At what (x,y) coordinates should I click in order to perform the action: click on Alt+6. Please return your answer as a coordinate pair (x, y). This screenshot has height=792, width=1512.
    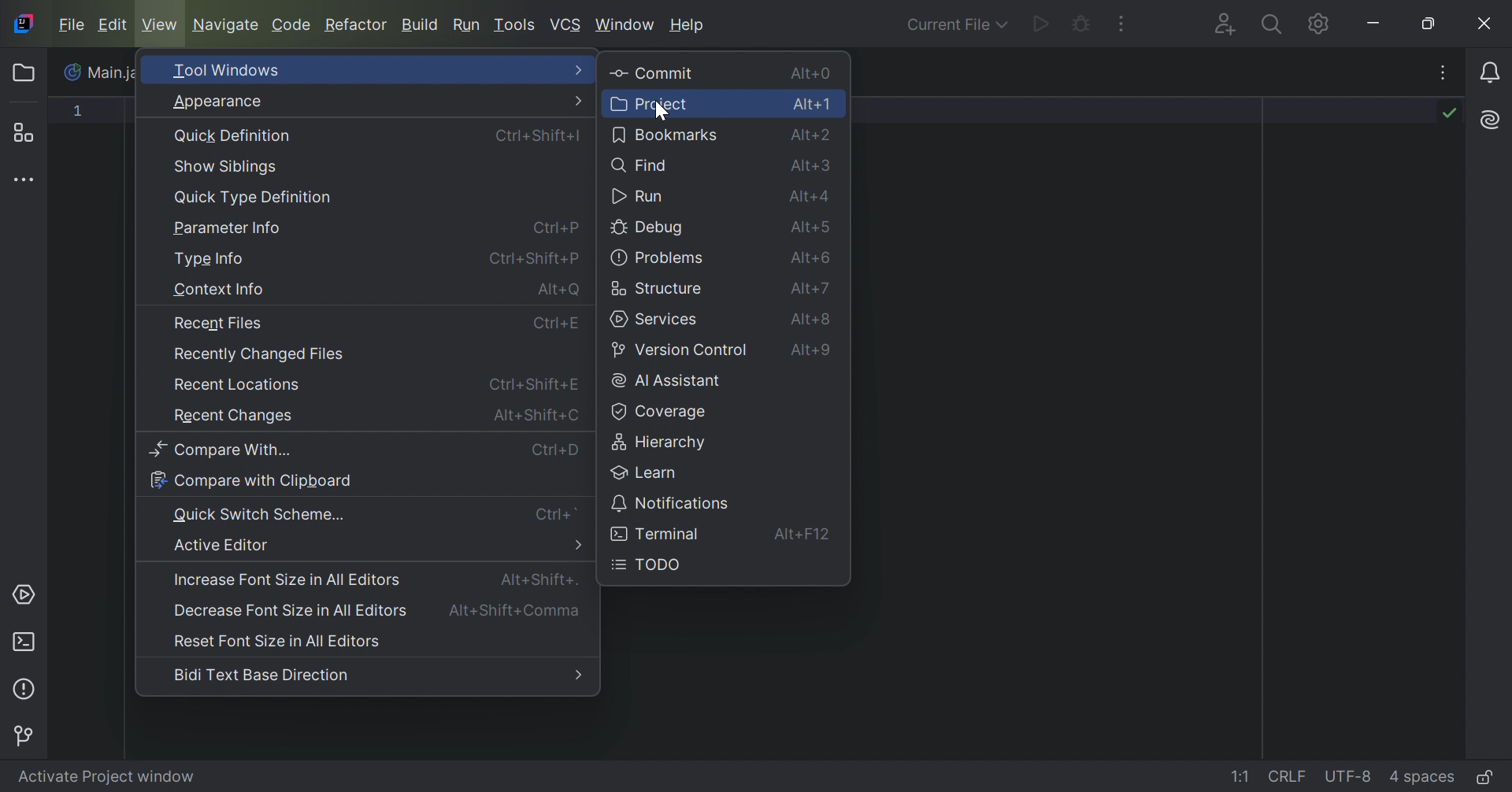
    Looking at the image, I should click on (811, 259).